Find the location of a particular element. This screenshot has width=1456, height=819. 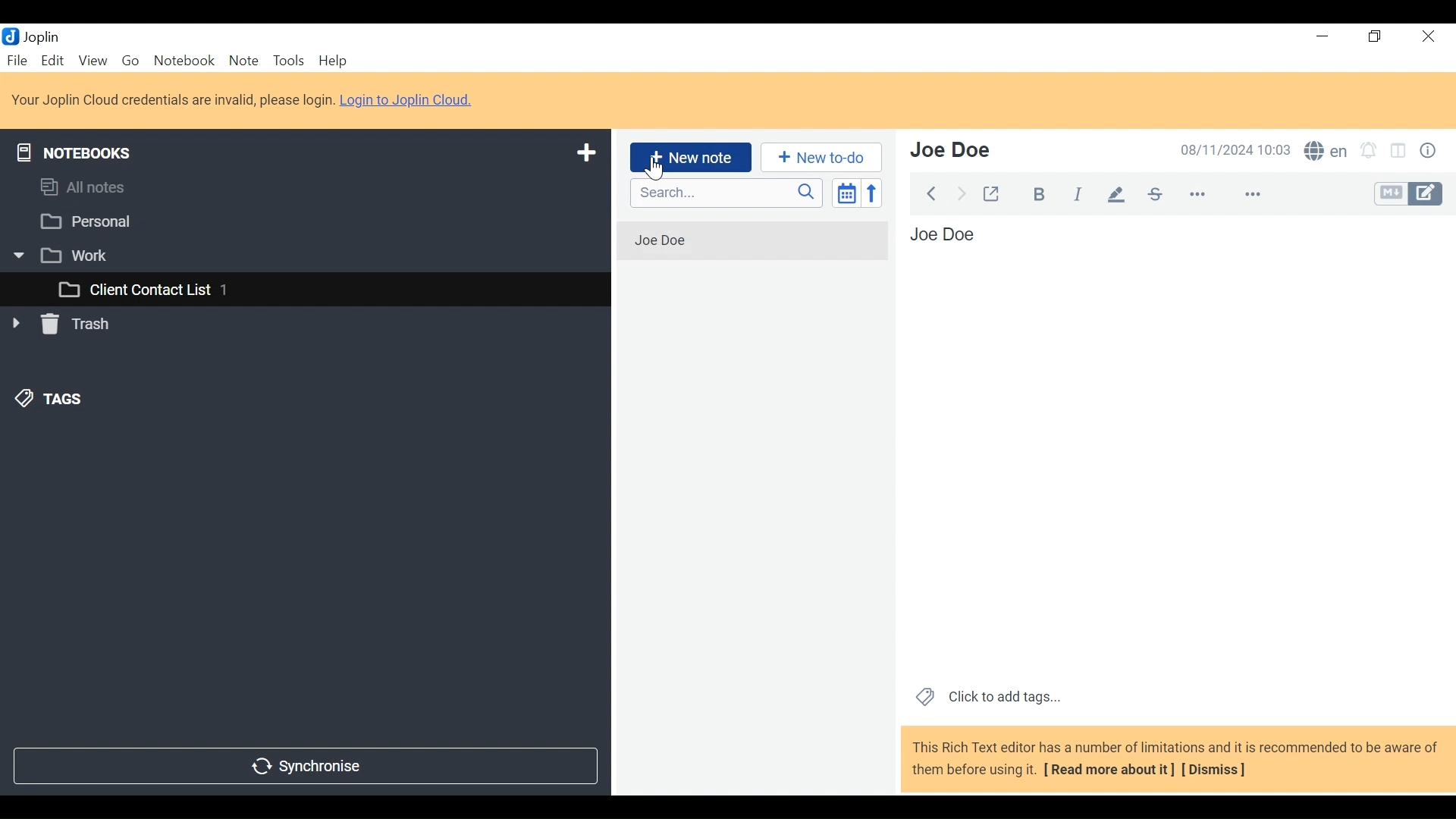

Note Properties is located at coordinates (1428, 149).